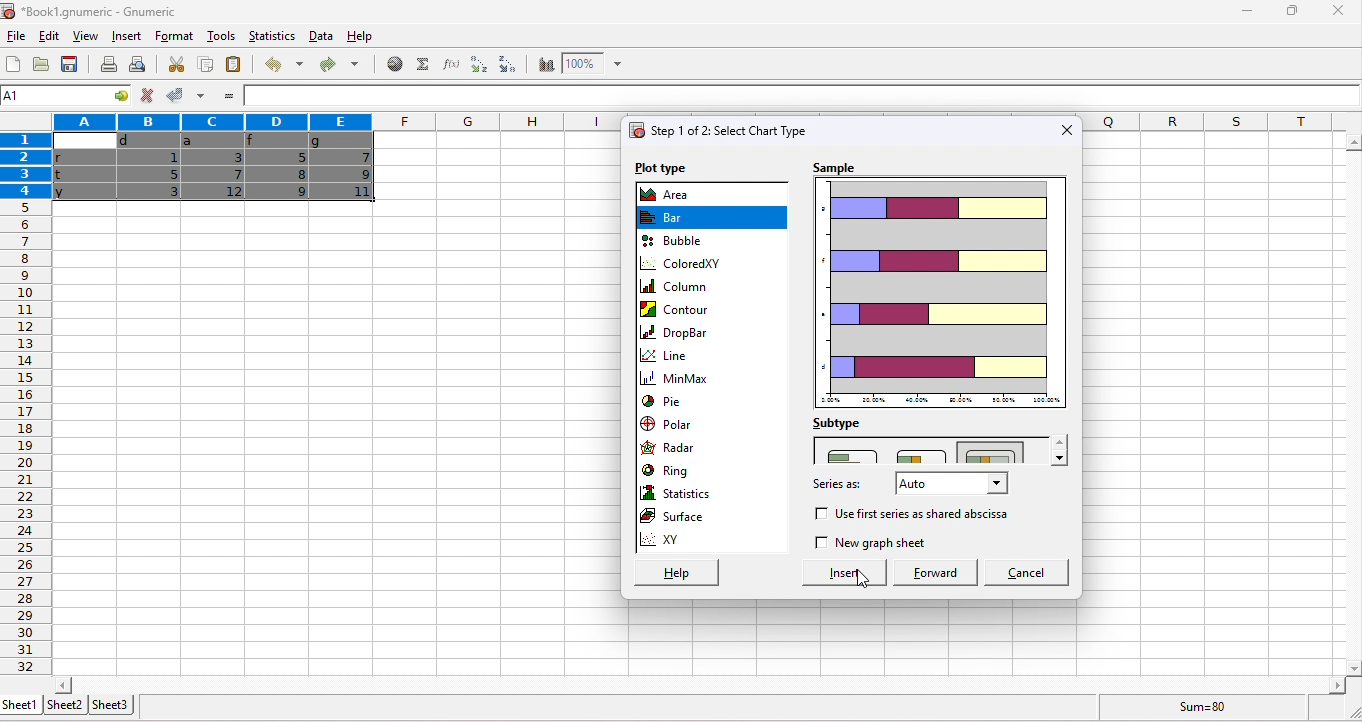  What do you see at coordinates (677, 358) in the screenshot?
I see `line` at bounding box center [677, 358].